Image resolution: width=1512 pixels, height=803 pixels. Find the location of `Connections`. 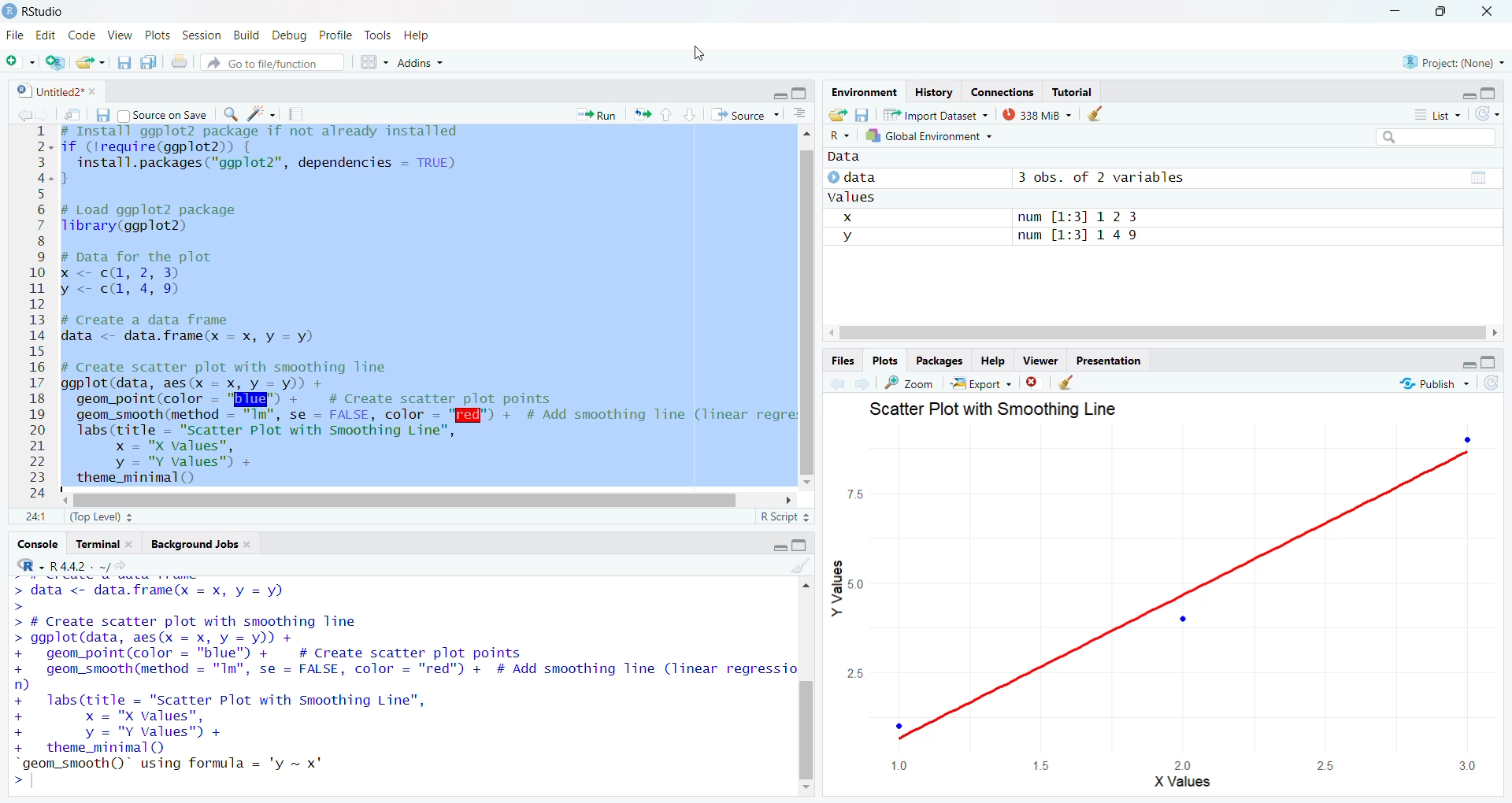

Connections is located at coordinates (1003, 92).